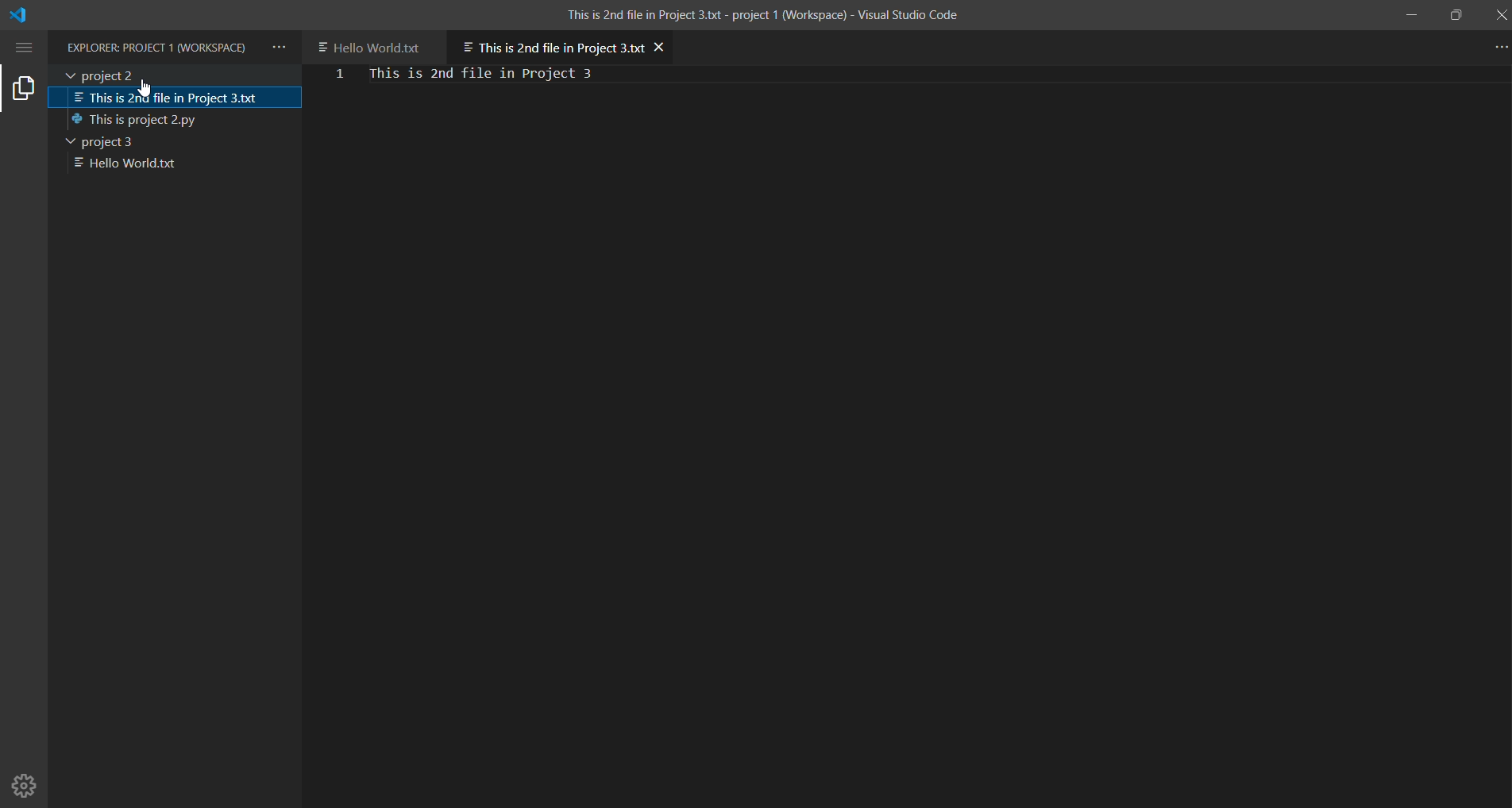 The image size is (1512, 808). What do you see at coordinates (661, 46) in the screenshot?
I see `close file` at bounding box center [661, 46].